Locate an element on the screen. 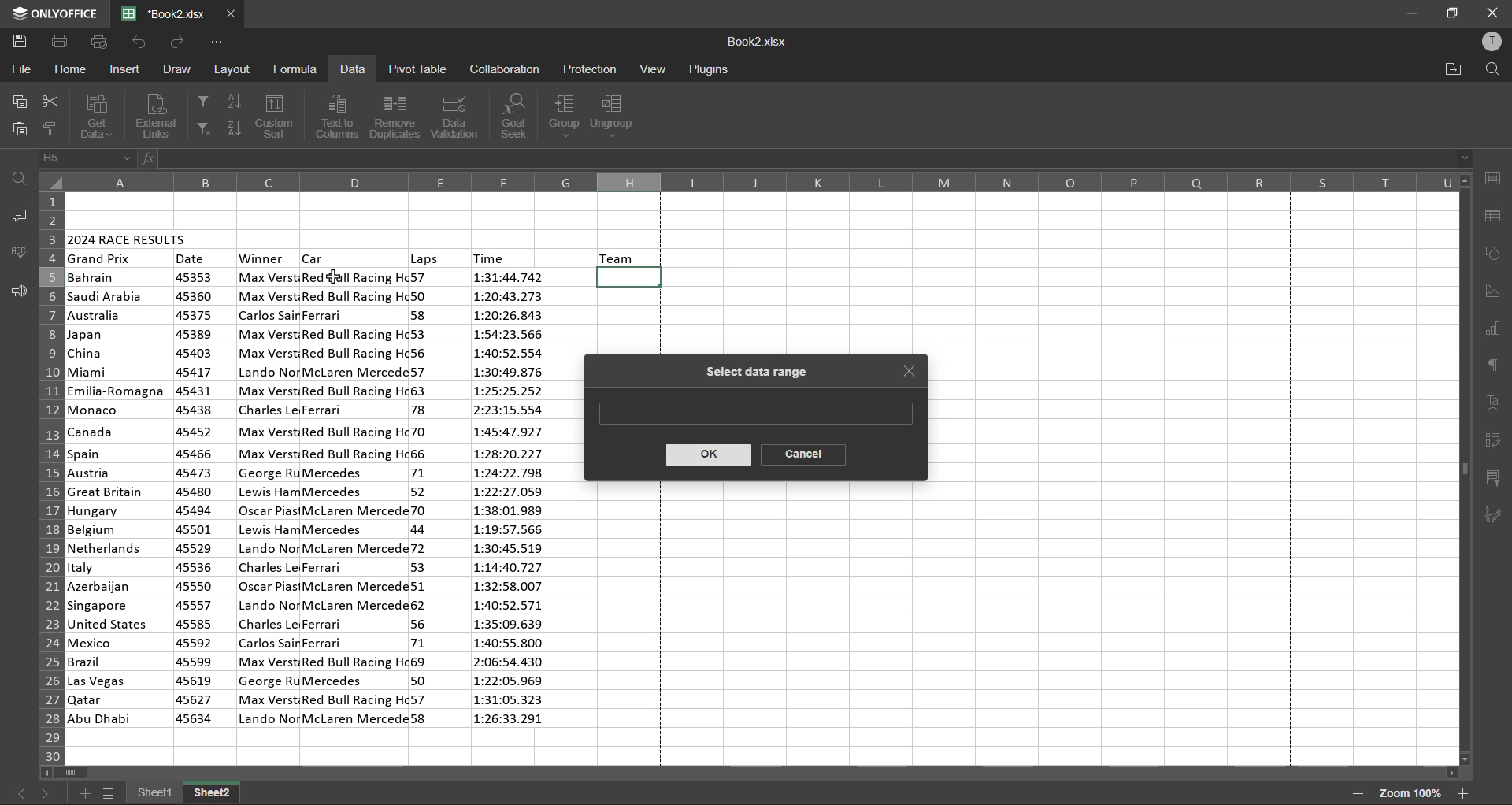 Image resolution: width=1512 pixels, height=805 pixels. next is located at coordinates (46, 791).